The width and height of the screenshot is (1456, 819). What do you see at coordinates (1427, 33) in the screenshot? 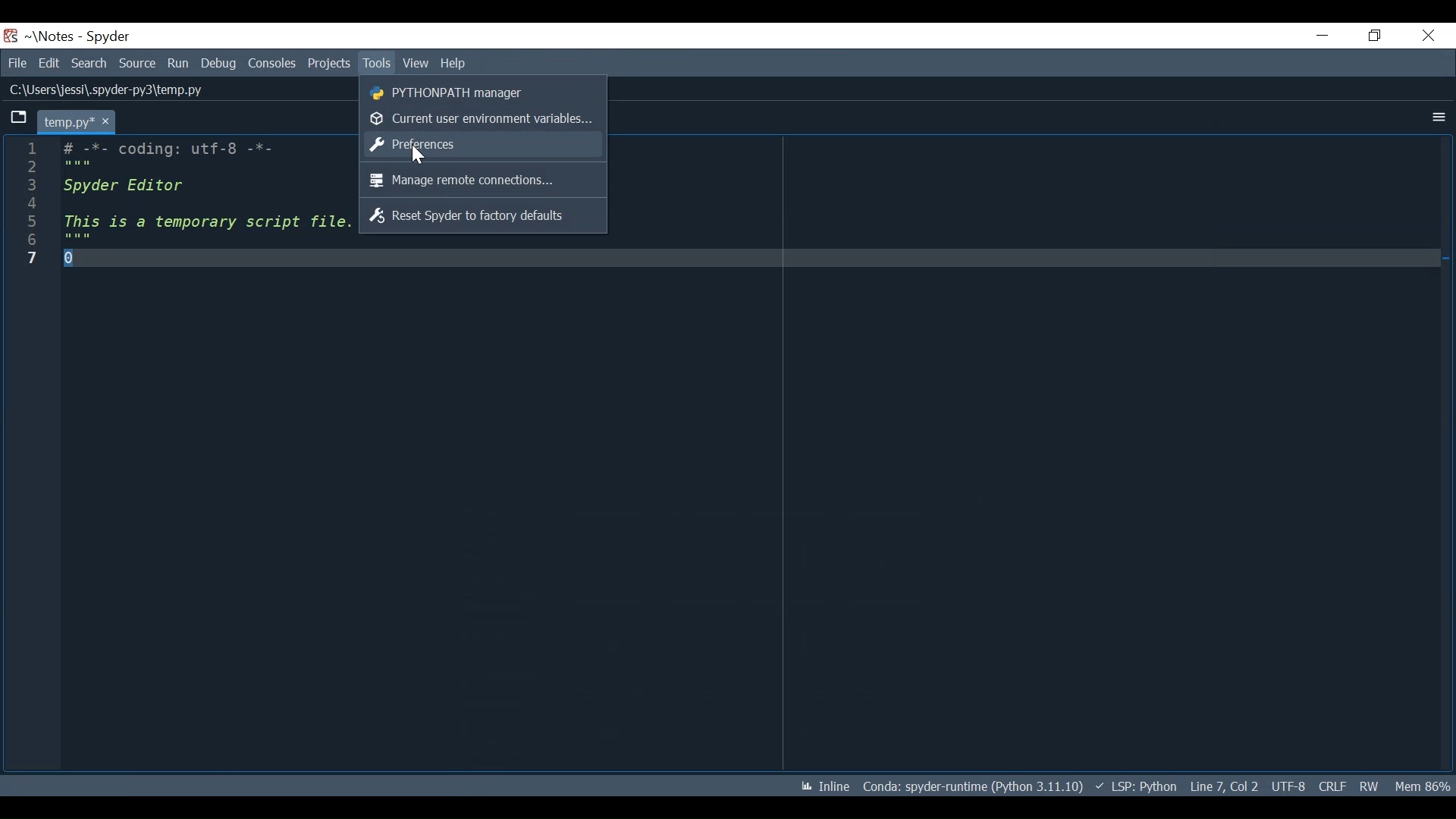
I see `Close` at bounding box center [1427, 33].